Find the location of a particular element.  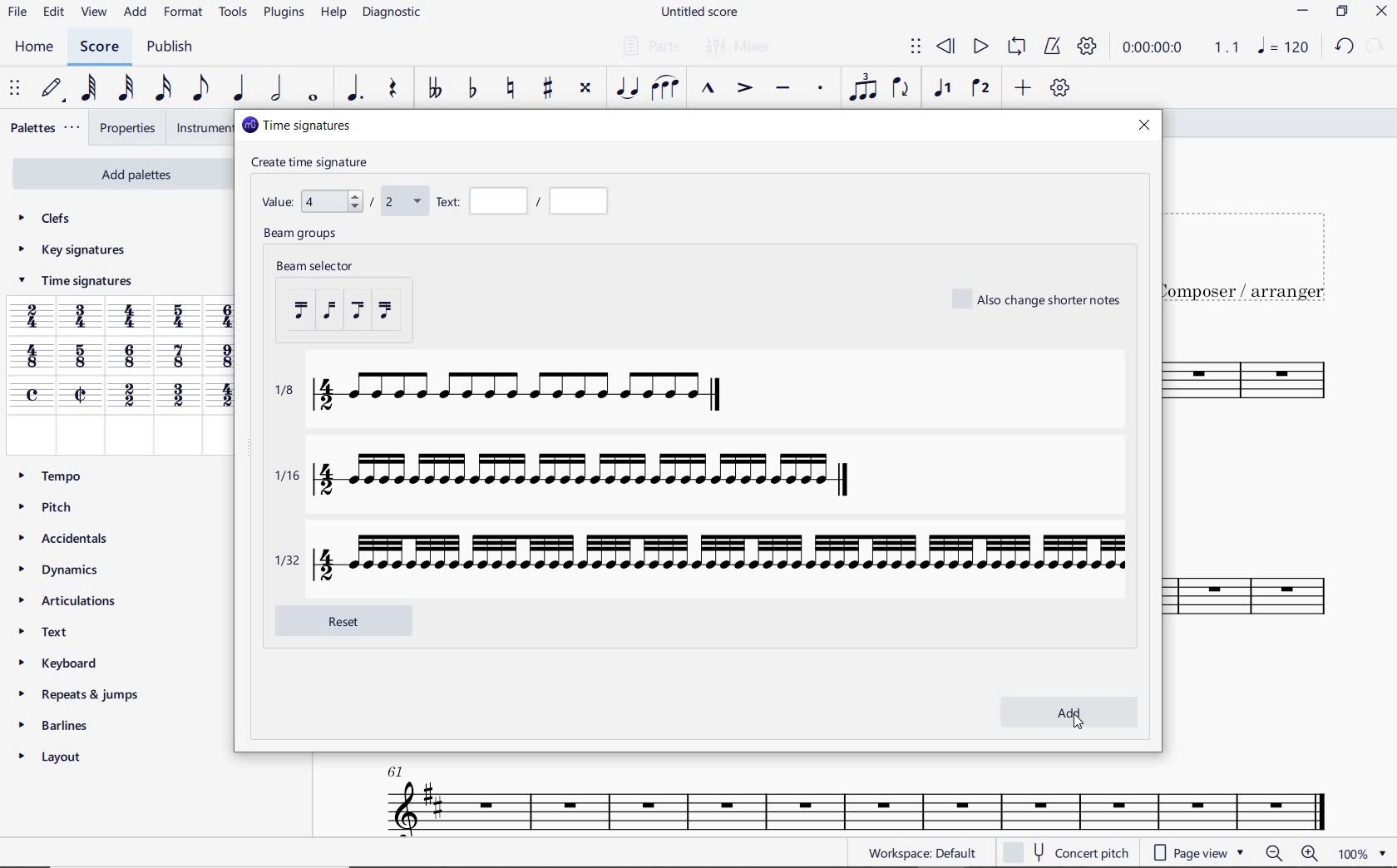

reset is located at coordinates (358, 619).